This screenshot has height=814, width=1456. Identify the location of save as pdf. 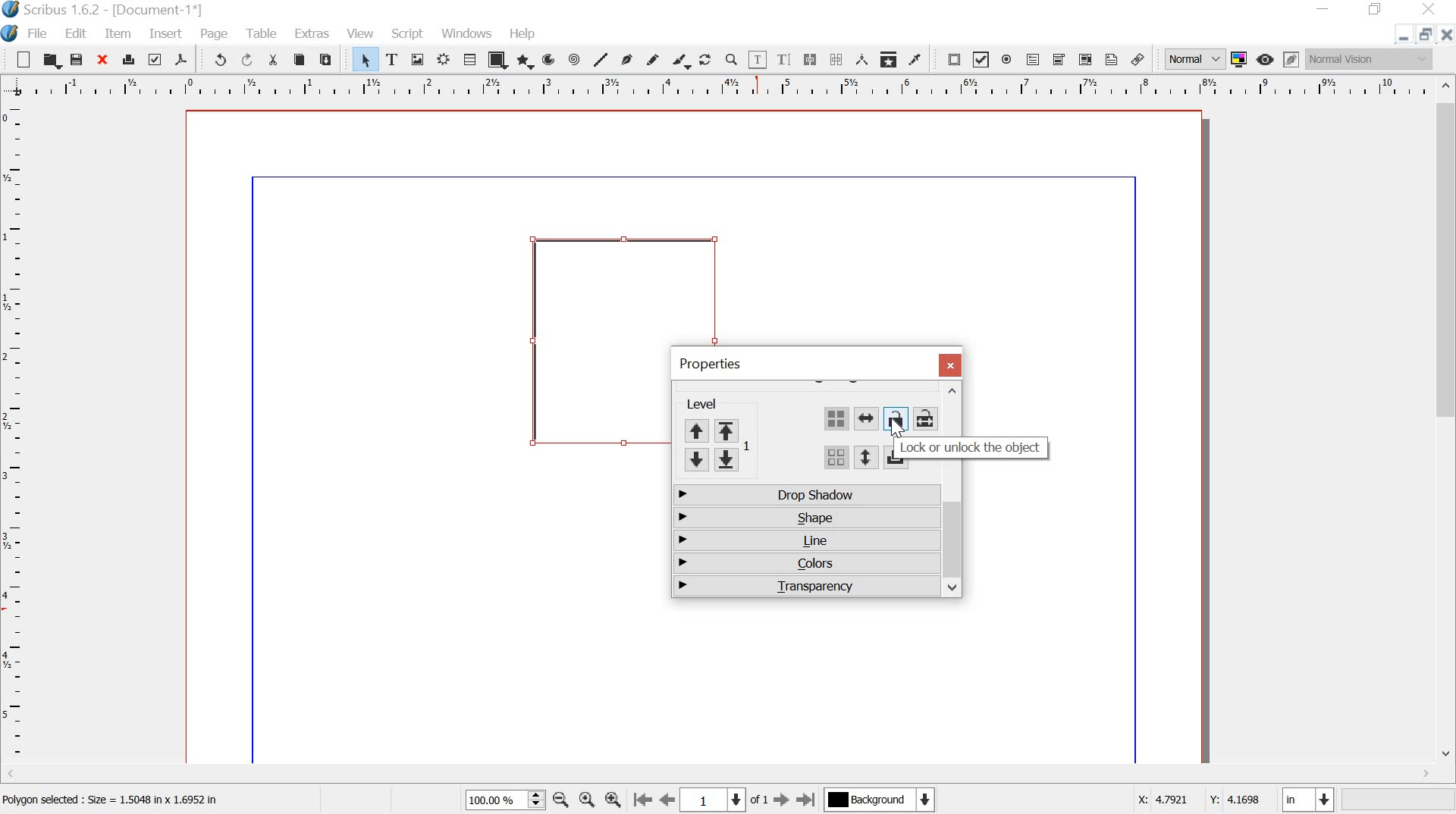
(184, 60).